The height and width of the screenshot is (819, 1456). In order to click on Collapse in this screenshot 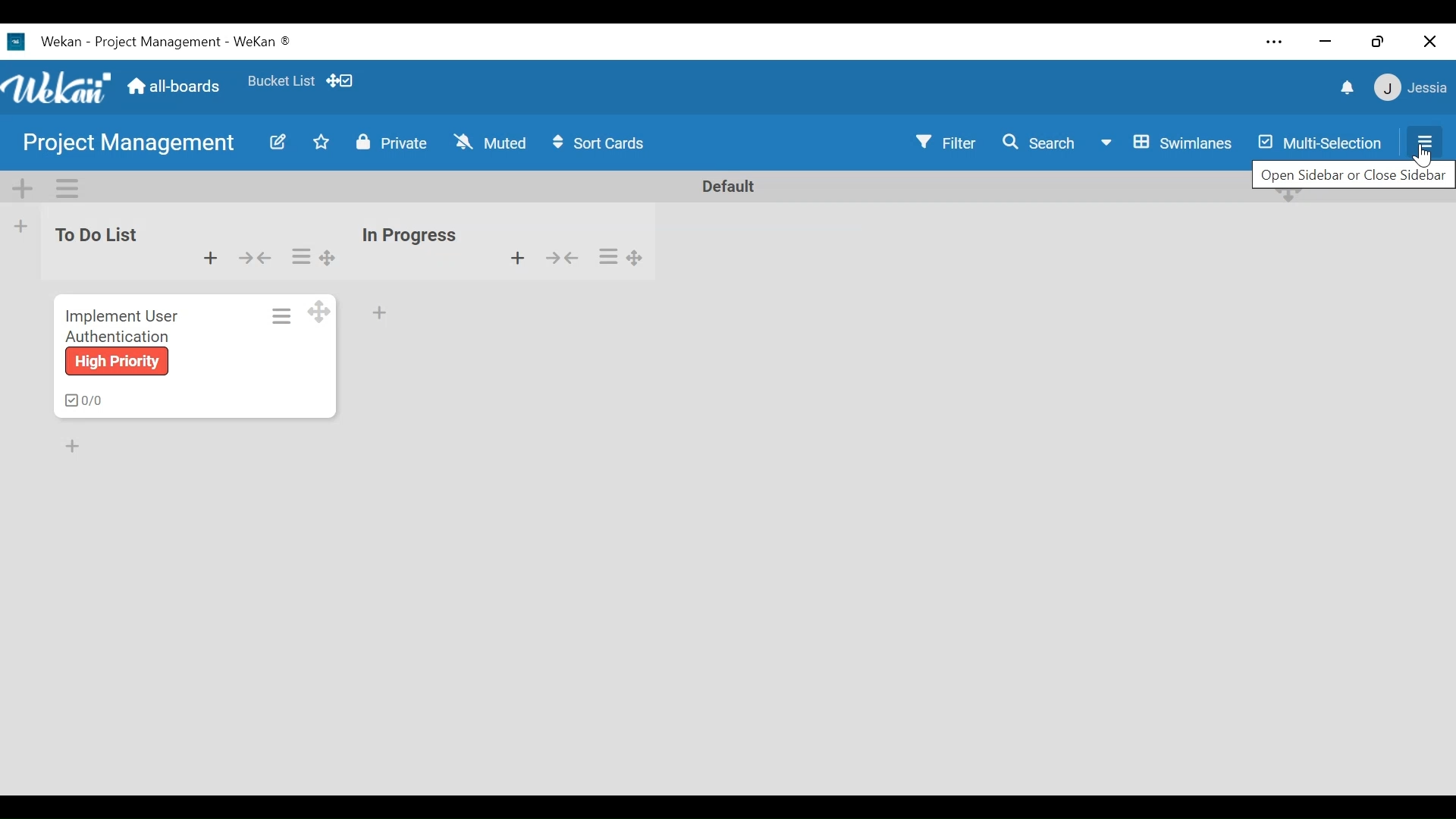, I will do `click(560, 258)`.